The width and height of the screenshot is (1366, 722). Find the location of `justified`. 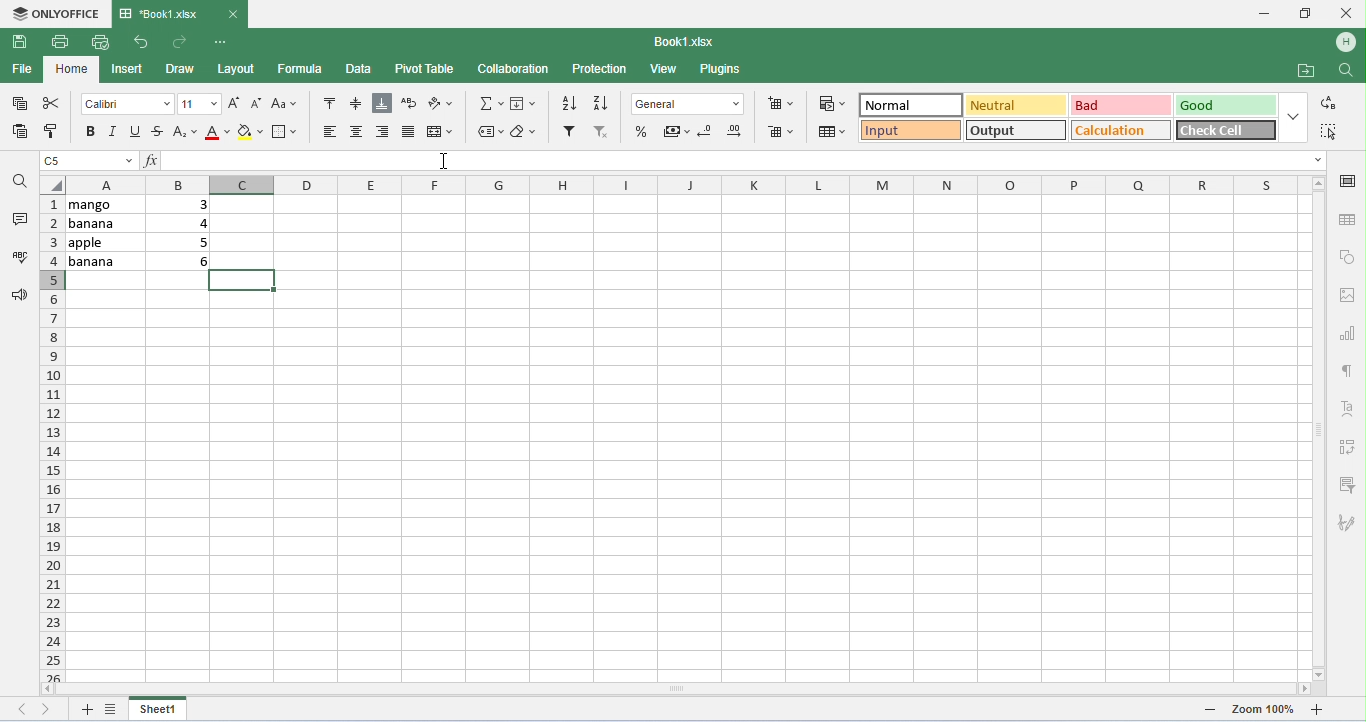

justified is located at coordinates (409, 132).